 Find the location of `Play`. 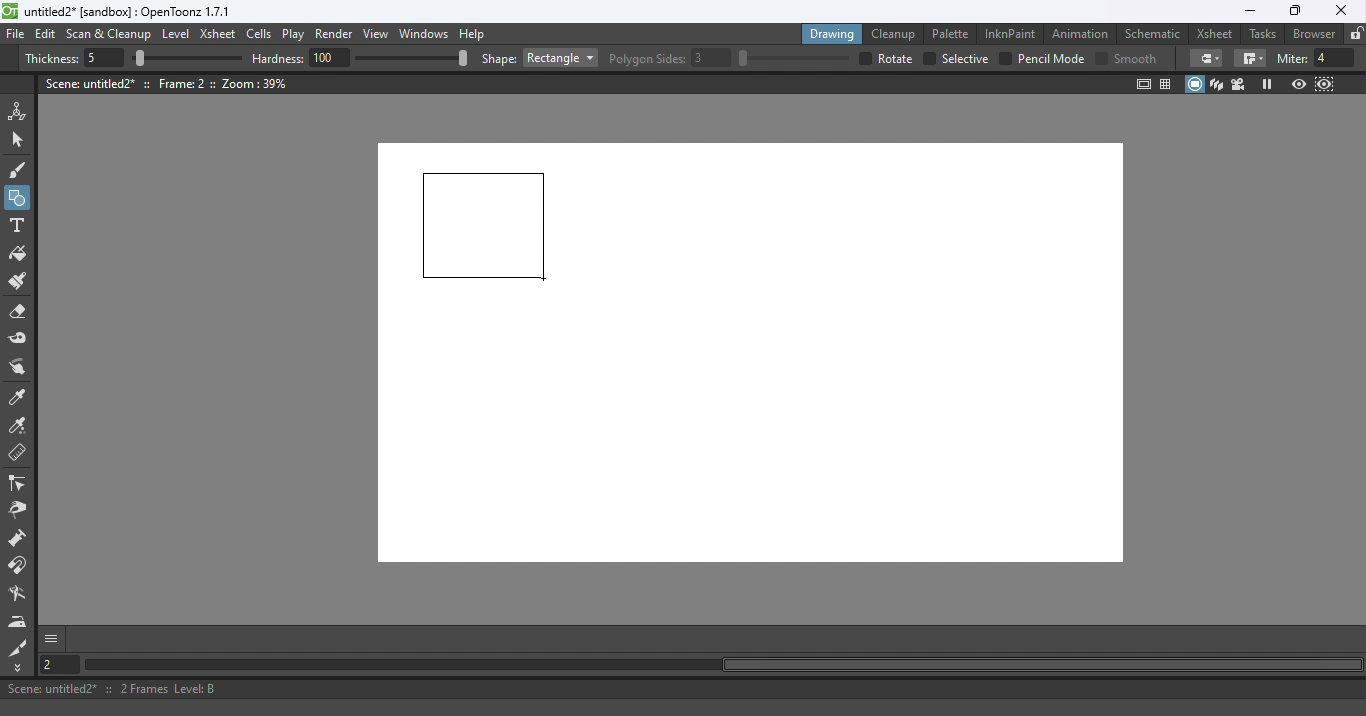

Play is located at coordinates (297, 35).